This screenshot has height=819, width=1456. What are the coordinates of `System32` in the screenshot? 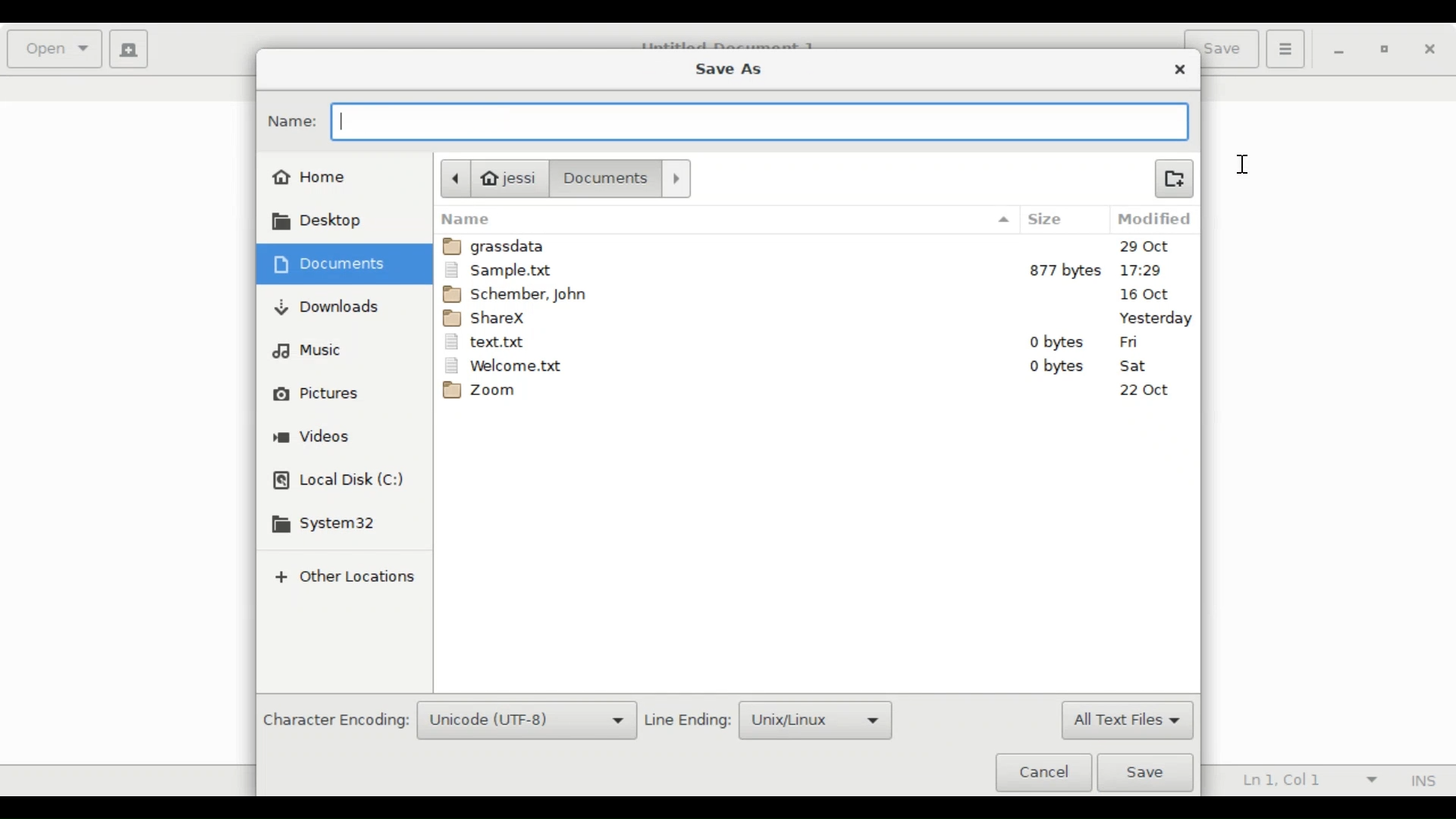 It's located at (328, 525).